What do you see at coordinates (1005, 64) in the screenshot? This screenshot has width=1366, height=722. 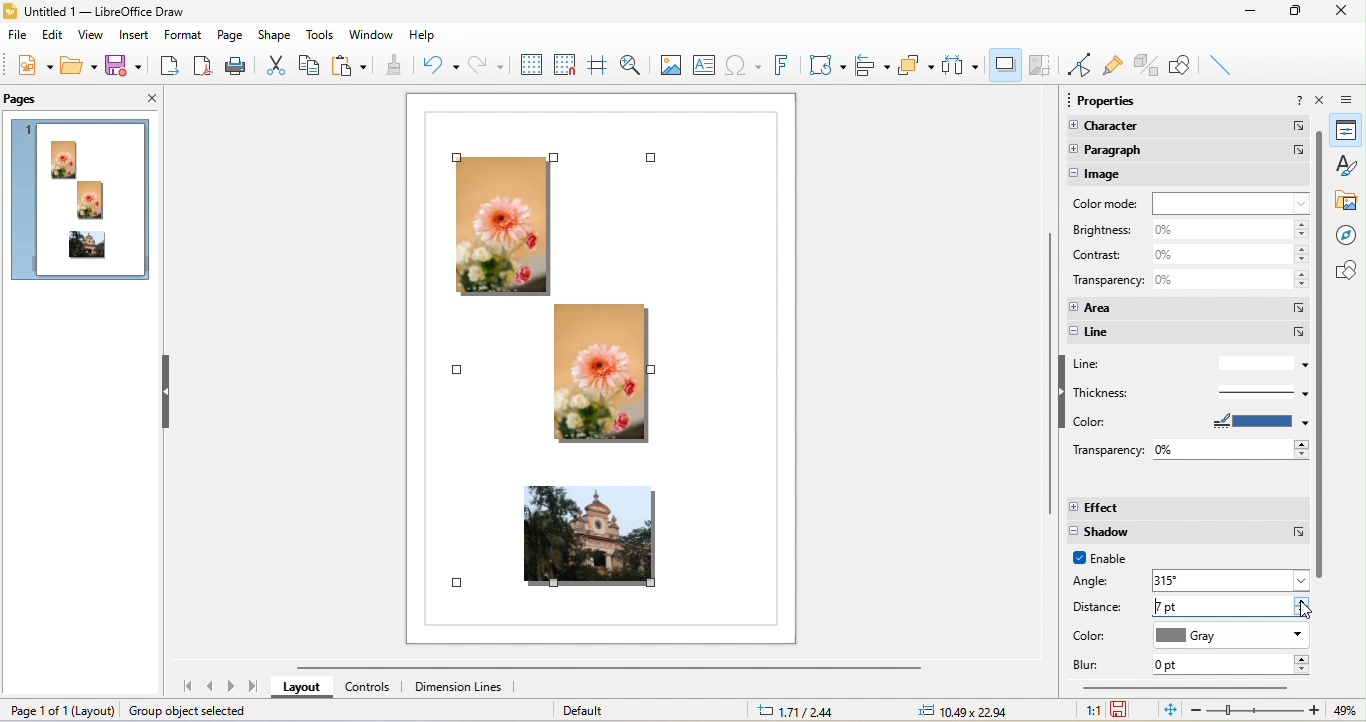 I see `shadow` at bounding box center [1005, 64].